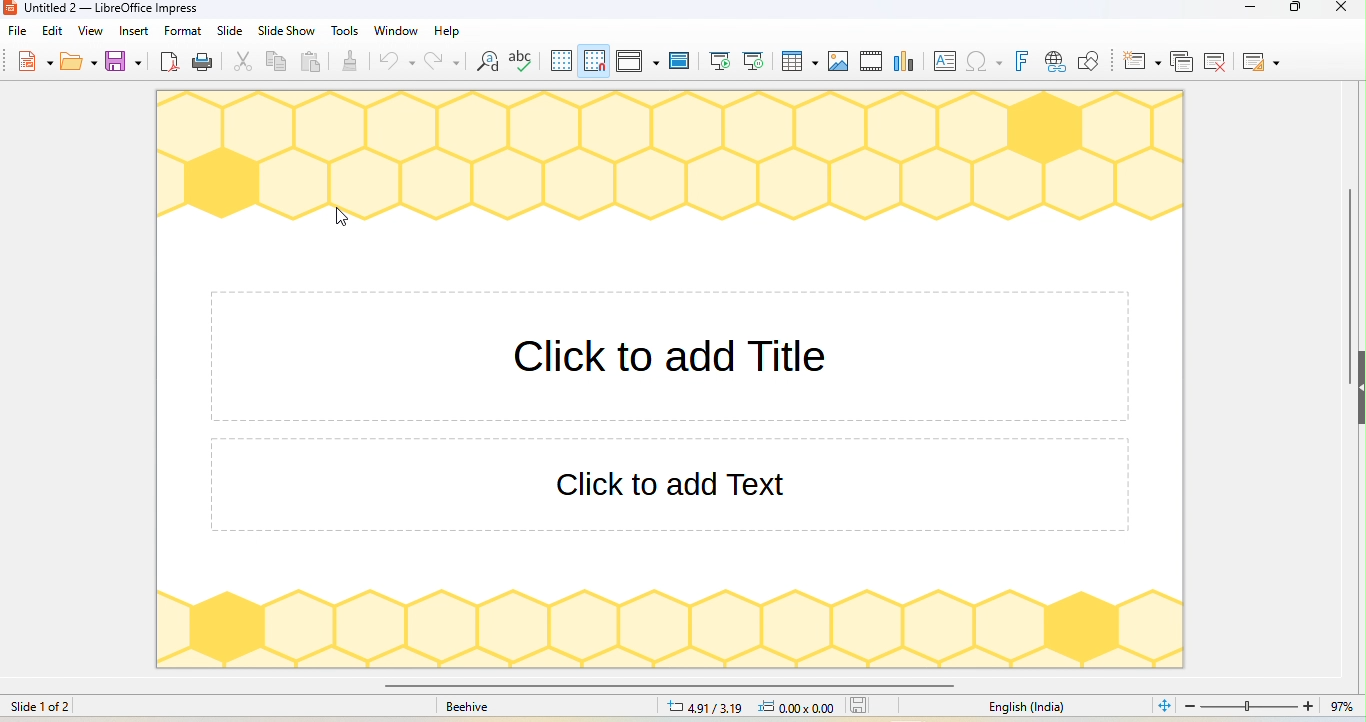  Describe the element at coordinates (1055, 61) in the screenshot. I see `insert hyperlink` at that location.